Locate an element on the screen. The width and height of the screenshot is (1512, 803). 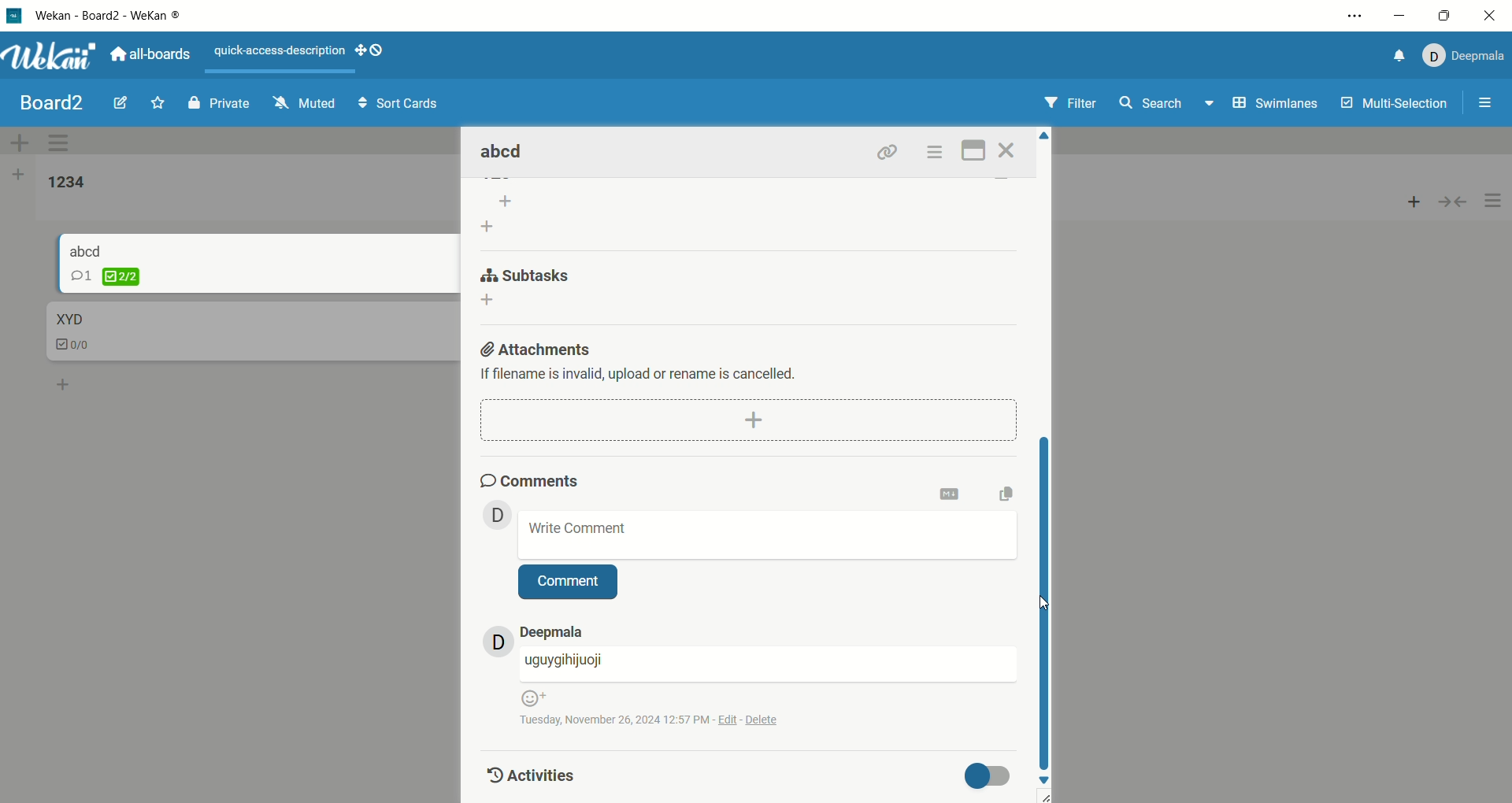
comments is located at coordinates (532, 479).